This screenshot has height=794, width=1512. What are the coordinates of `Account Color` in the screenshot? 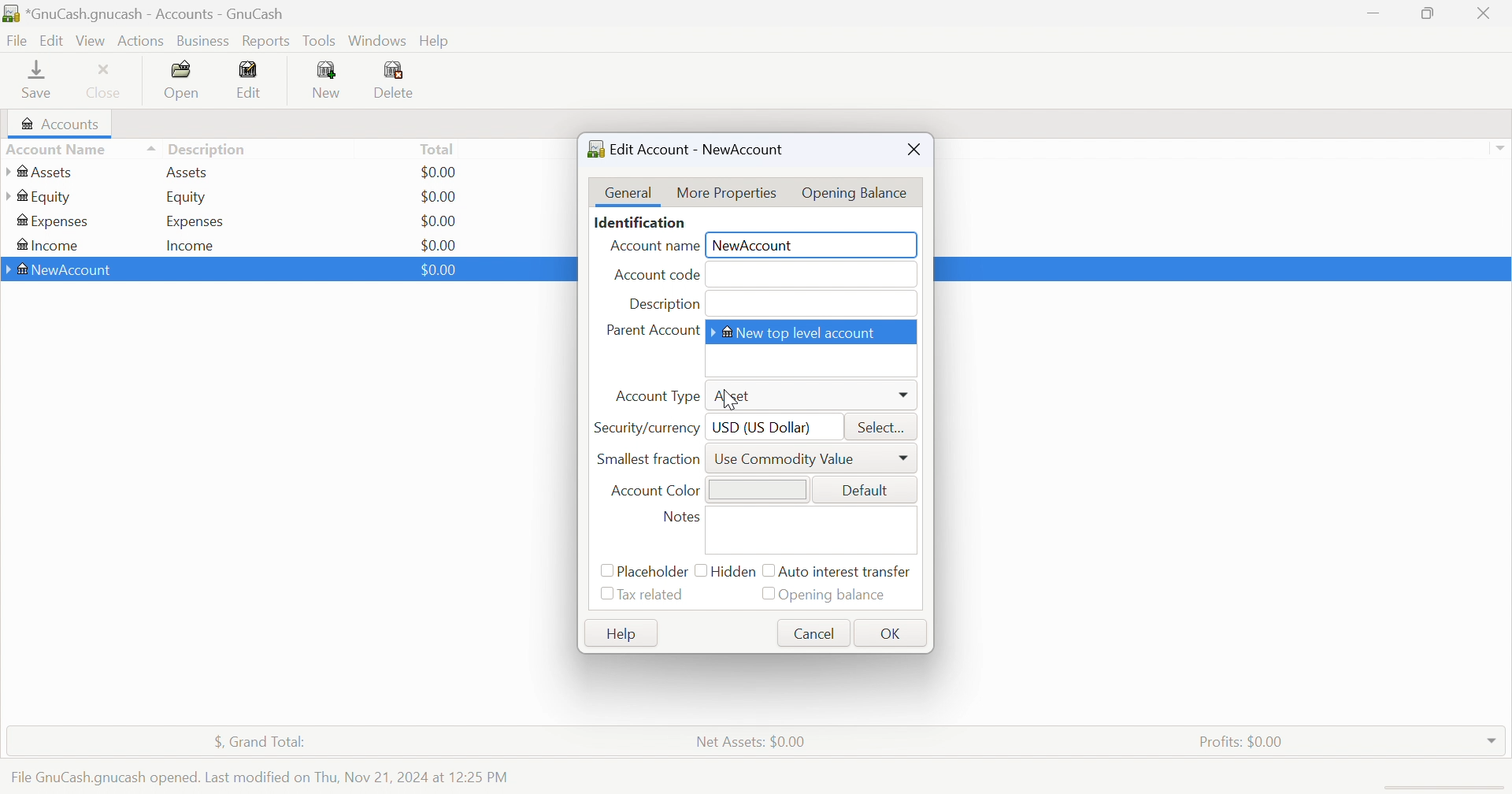 It's located at (655, 492).